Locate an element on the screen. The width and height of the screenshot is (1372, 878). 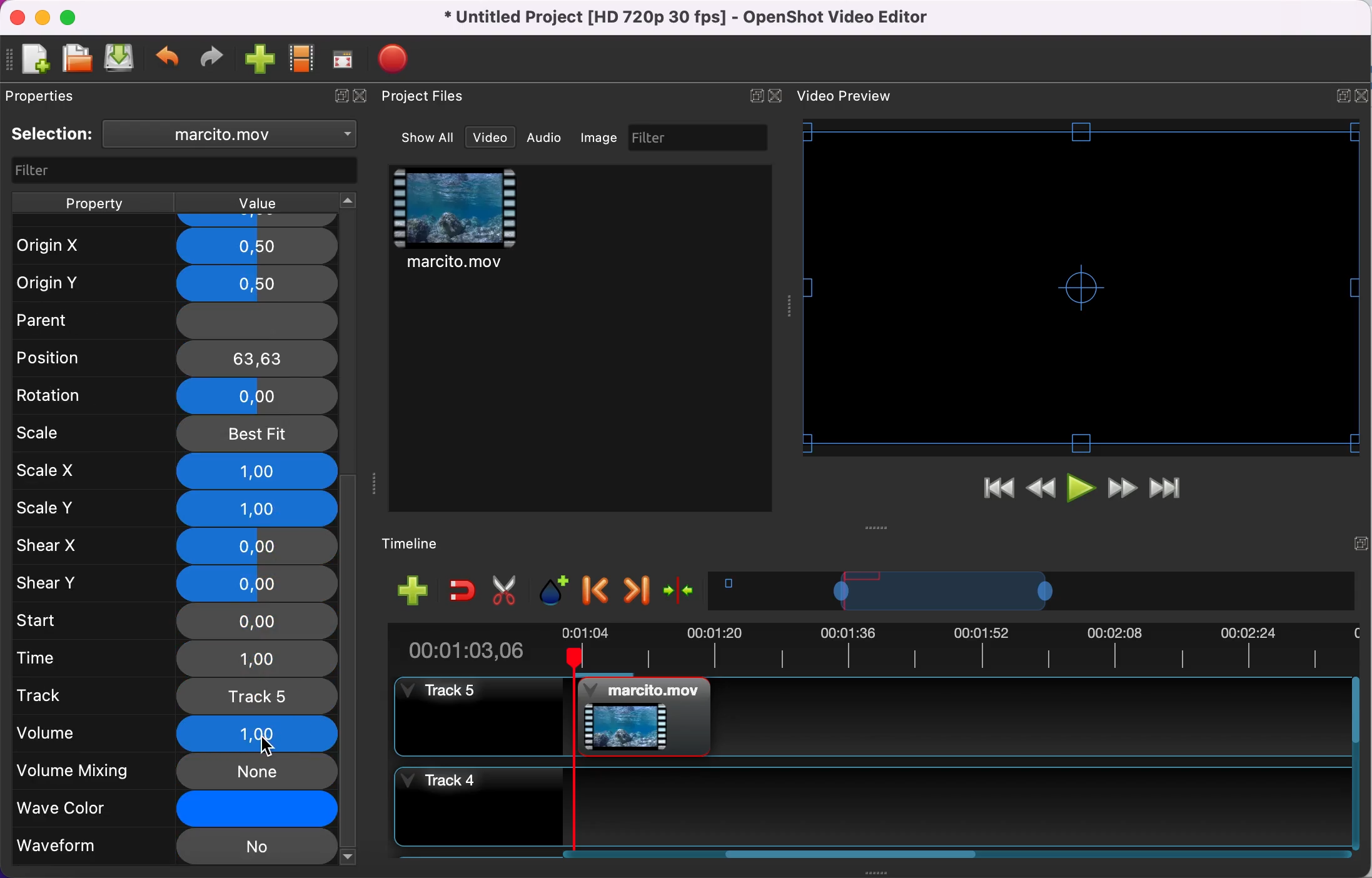
rotation 0 is located at coordinates (175, 398).